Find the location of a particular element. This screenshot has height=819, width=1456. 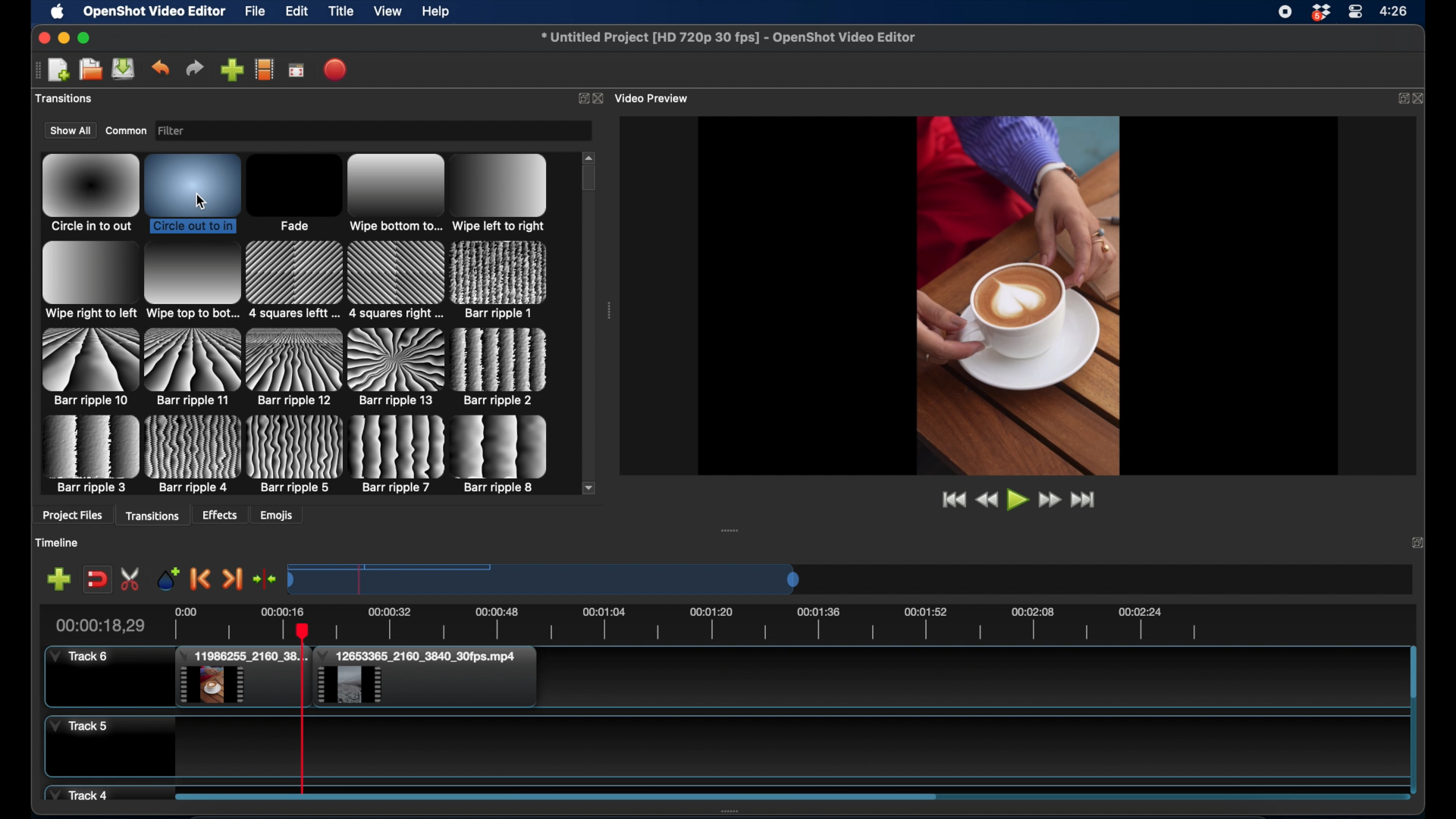

transition is located at coordinates (88, 366).